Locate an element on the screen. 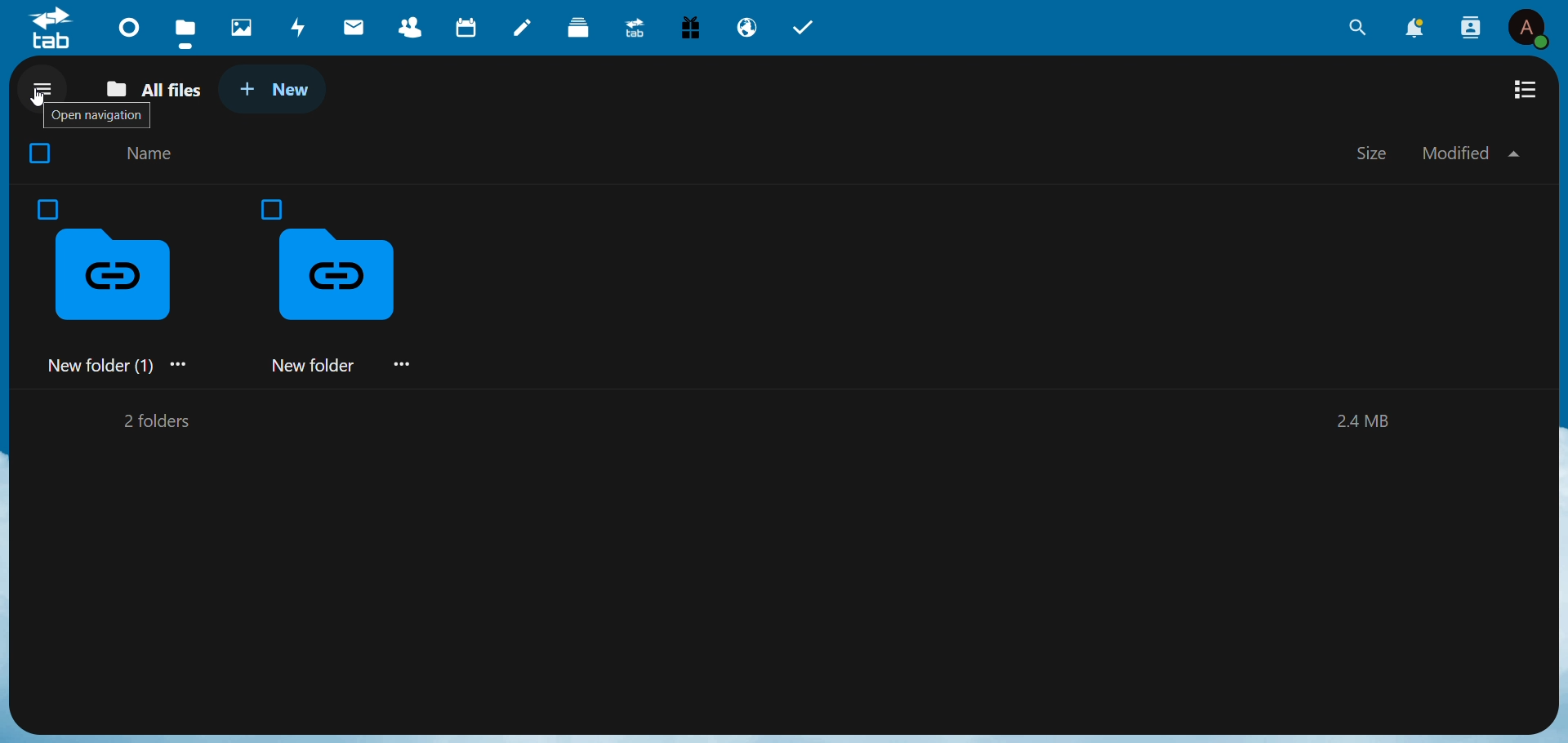 The image size is (1568, 743). task is located at coordinates (809, 29).